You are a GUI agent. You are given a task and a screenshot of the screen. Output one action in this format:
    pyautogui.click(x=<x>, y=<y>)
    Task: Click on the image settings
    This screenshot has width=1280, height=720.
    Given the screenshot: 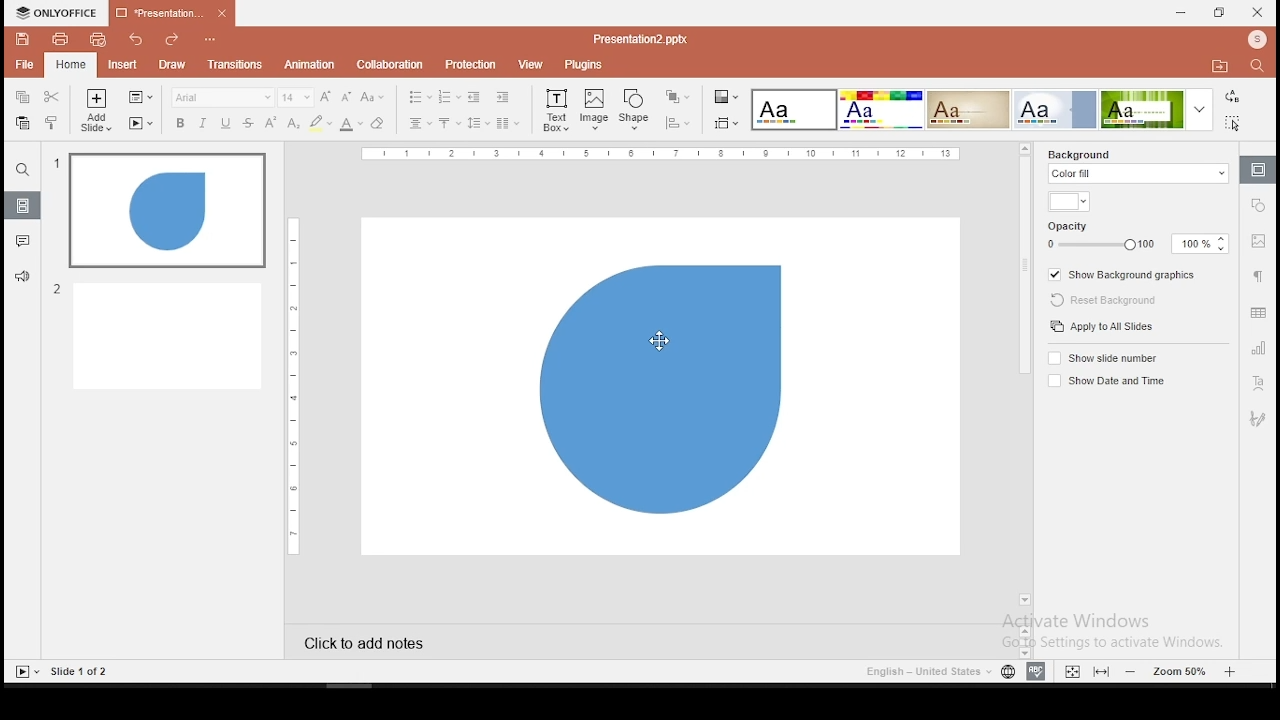 What is the action you would take?
    pyautogui.click(x=1260, y=243)
    